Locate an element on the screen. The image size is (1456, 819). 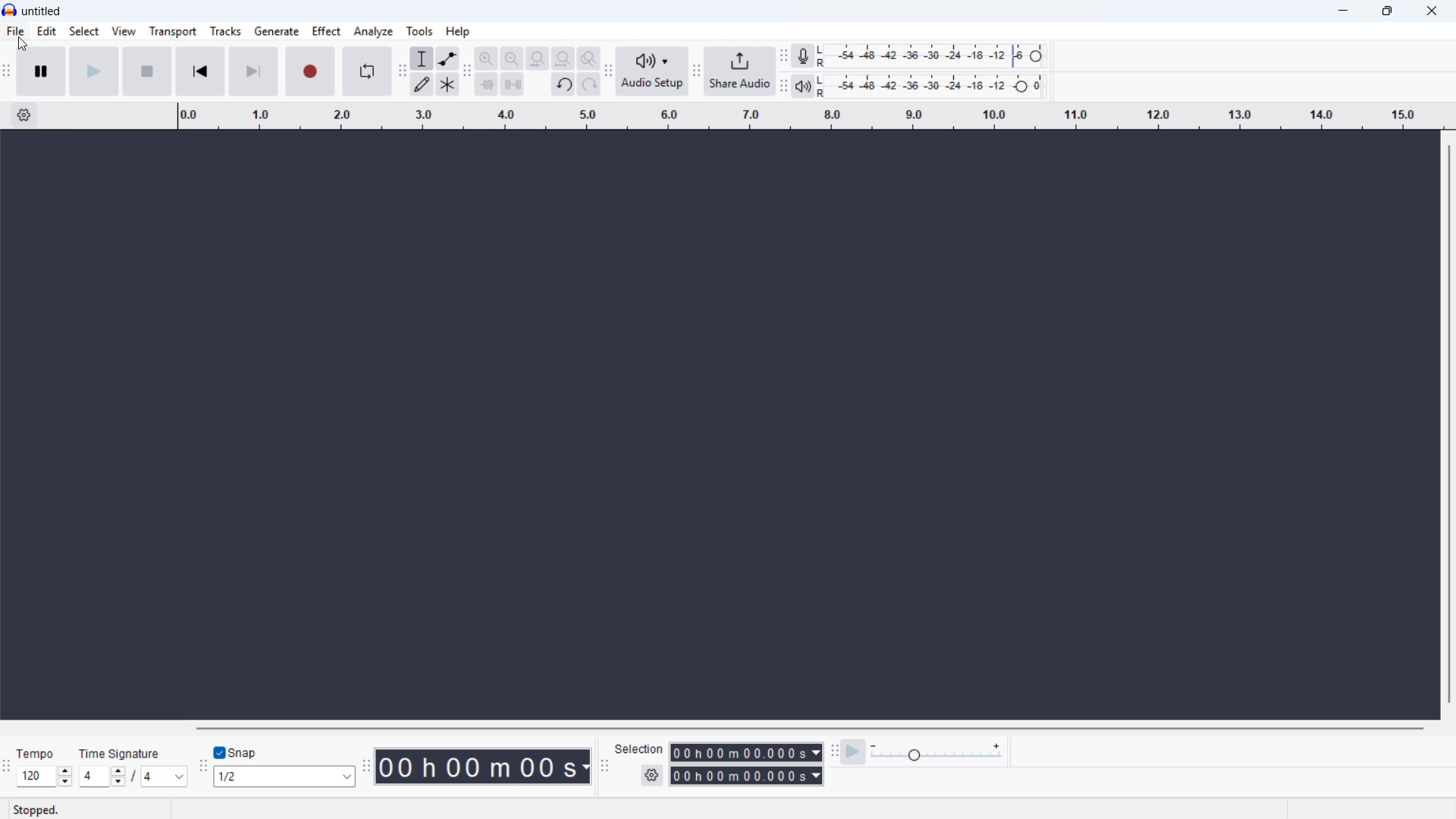
Horizontal scroll bar is located at coordinates (809, 729).